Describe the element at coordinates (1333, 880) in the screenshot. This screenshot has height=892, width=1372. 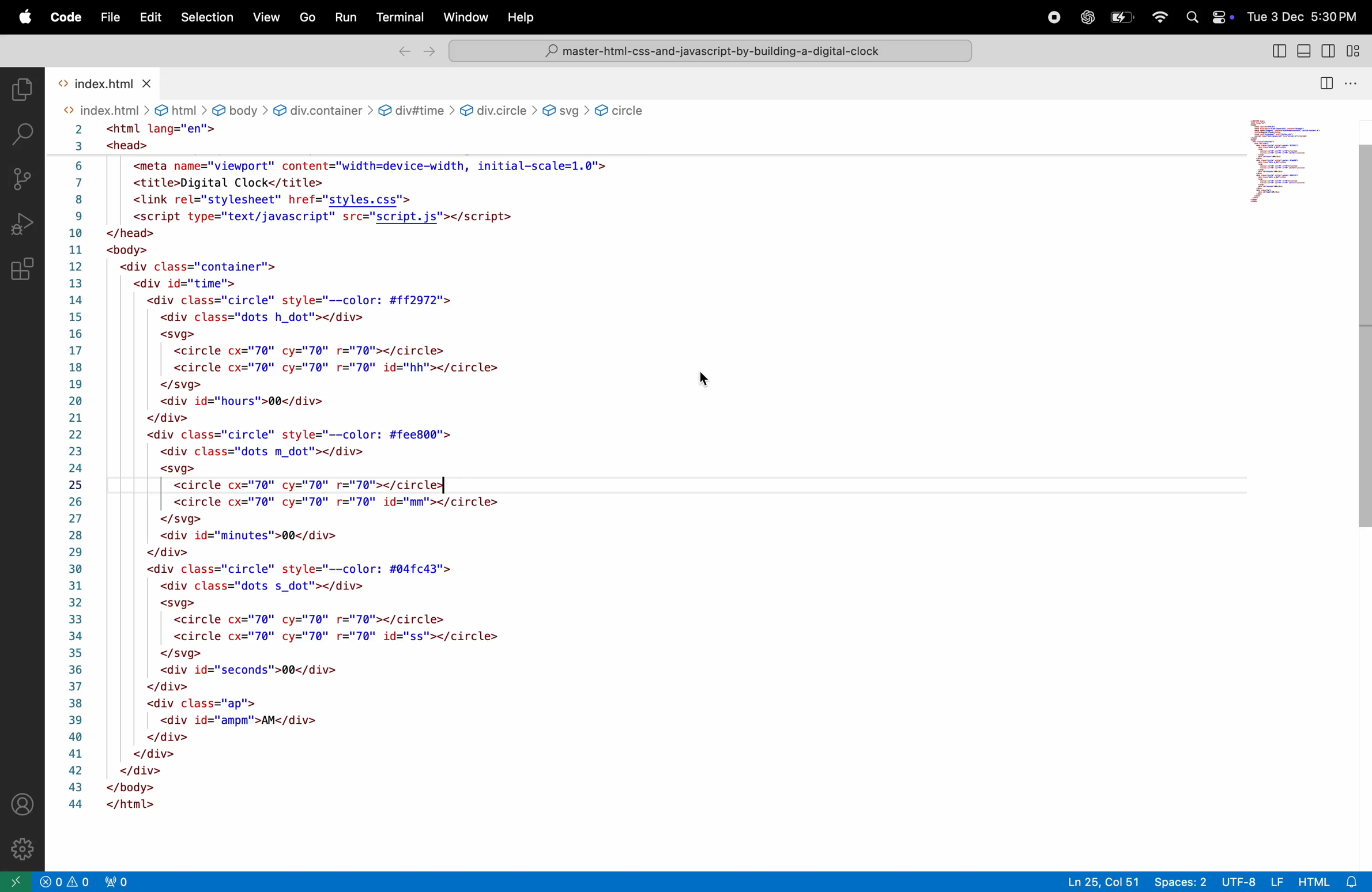
I see `HTML Alert` at that location.